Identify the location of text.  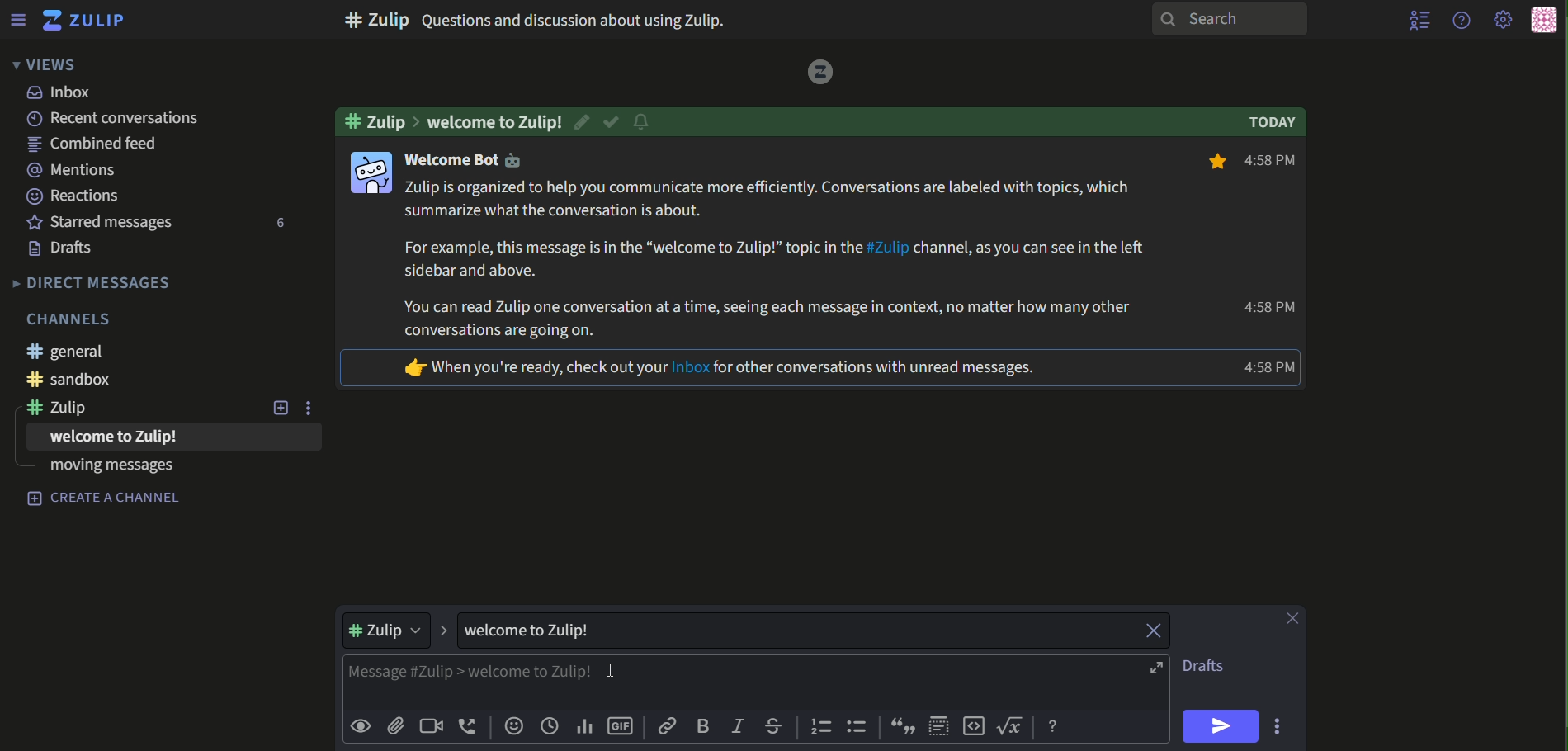
(539, 631).